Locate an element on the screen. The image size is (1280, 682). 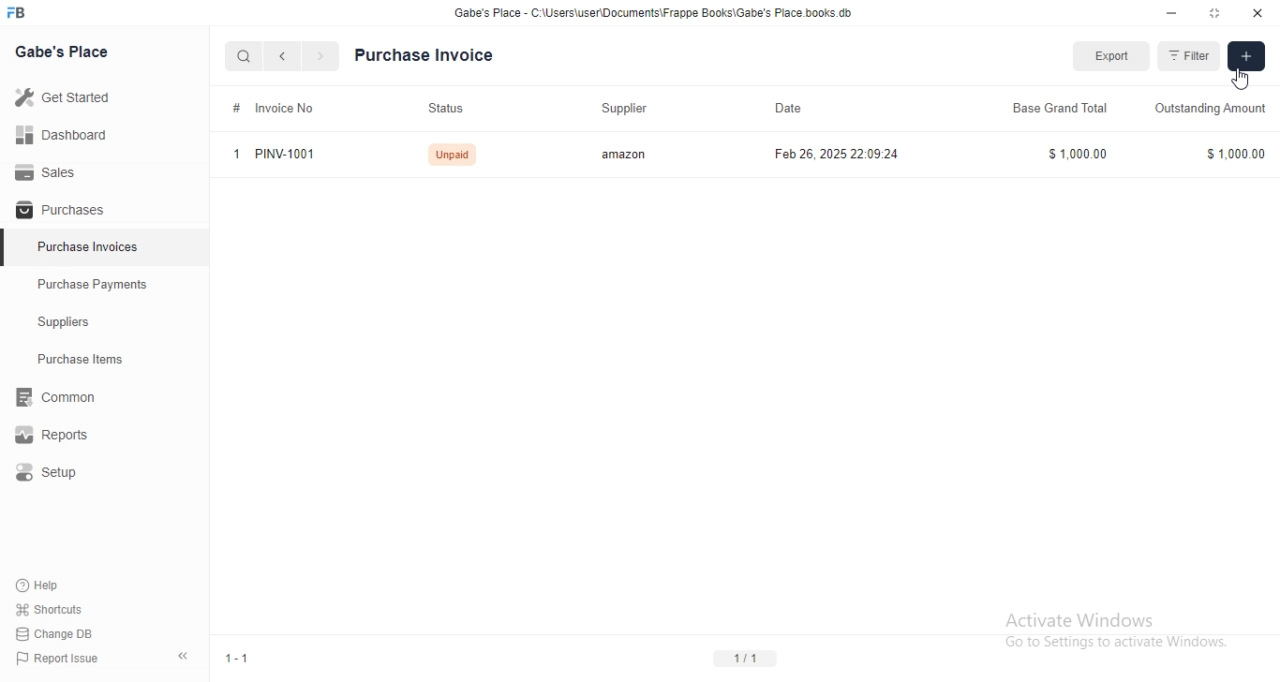
Dashboard is located at coordinates (104, 134).